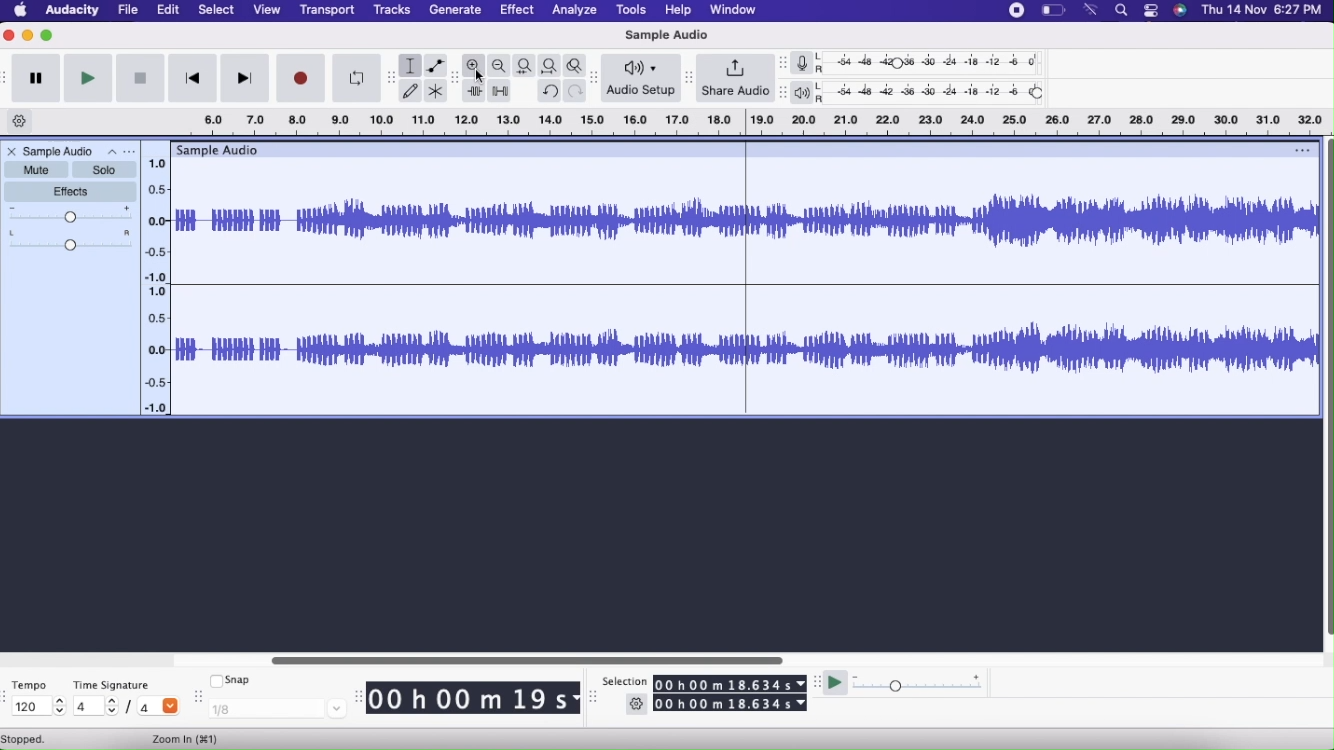 This screenshot has width=1334, height=750. I want to click on redo, so click(553, 92).